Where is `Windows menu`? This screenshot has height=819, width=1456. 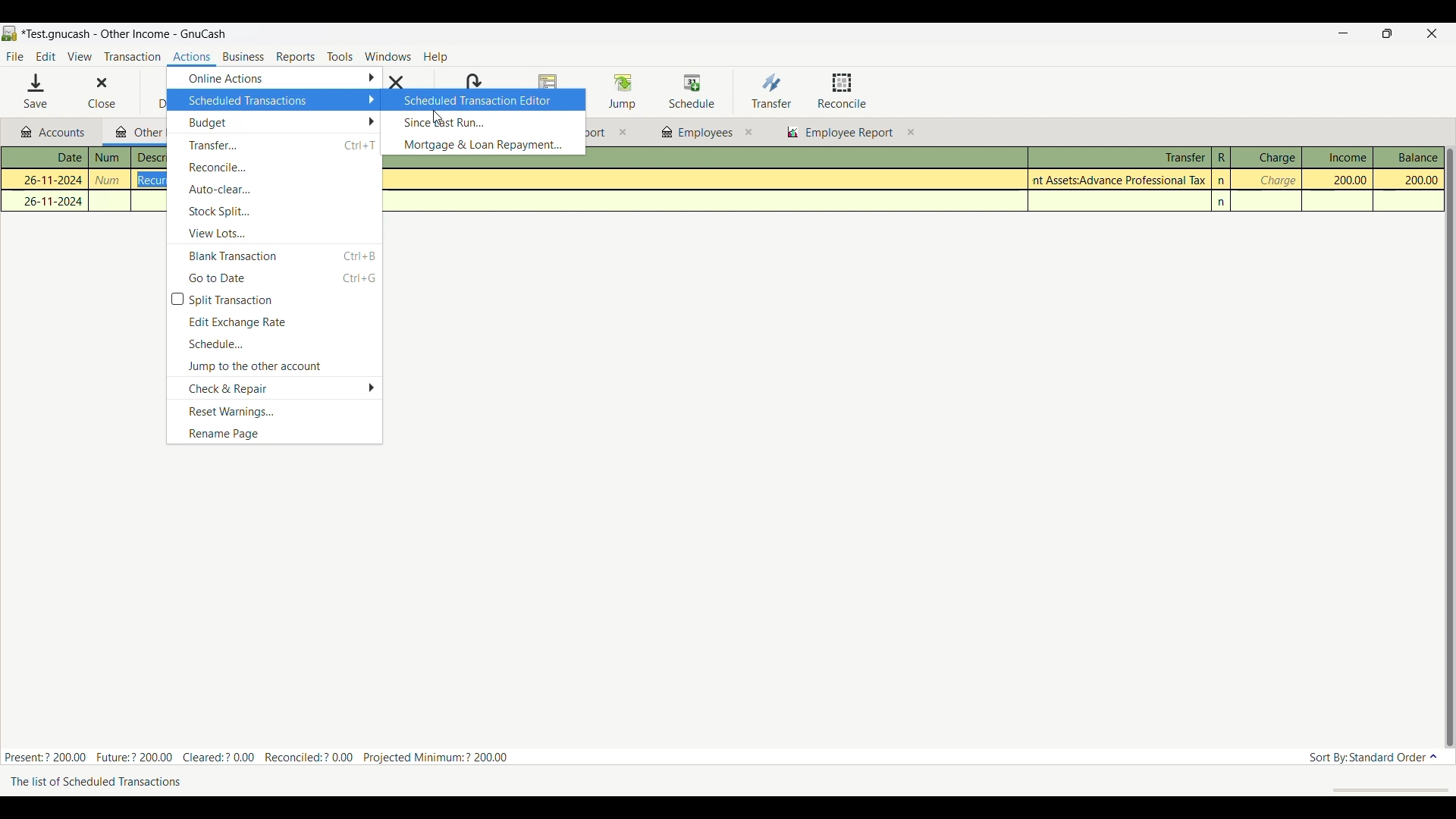
Windows menu is located at coordinates (388, 57).